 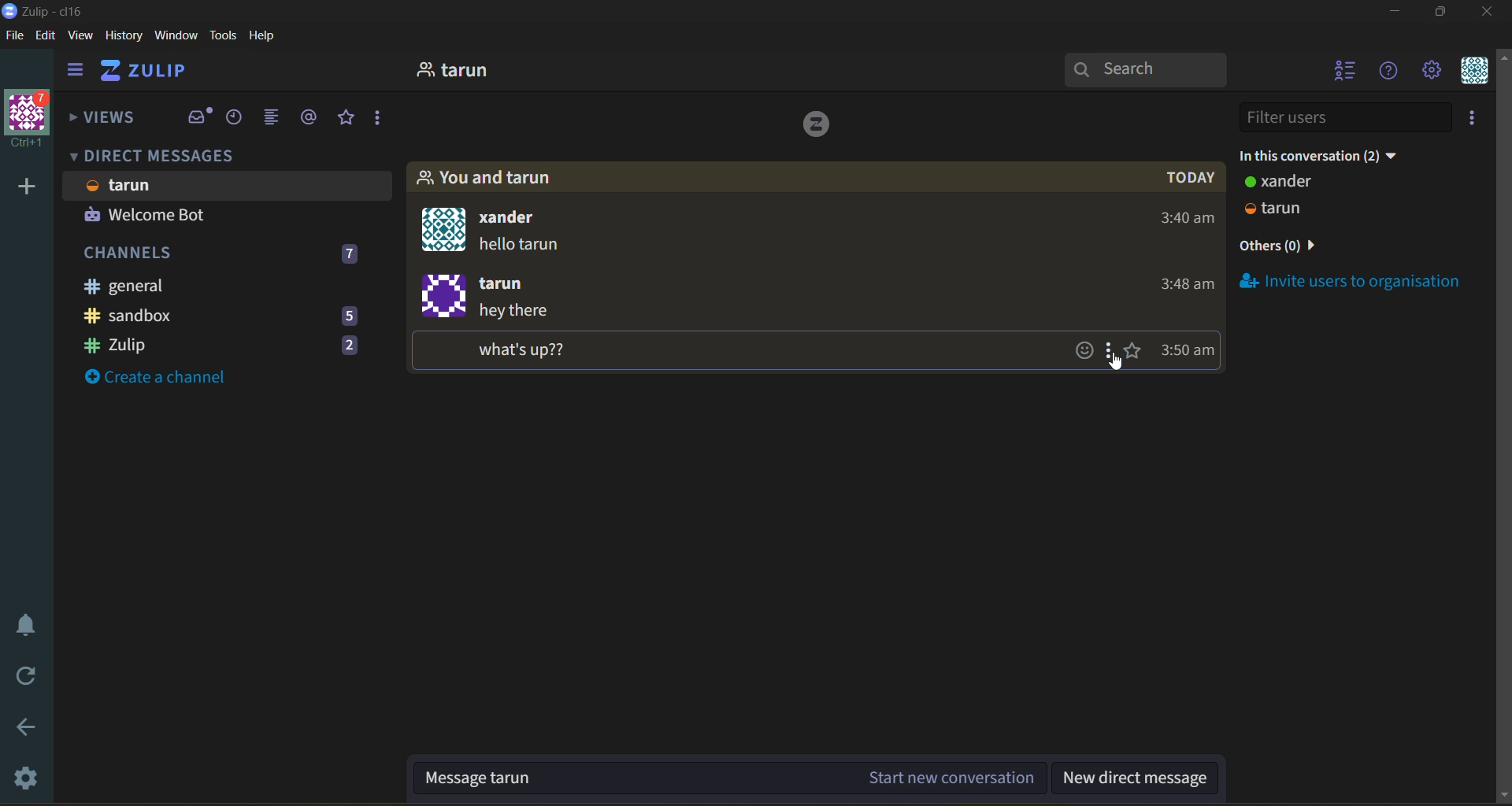 I want to click on invite users to organisation, so click(x=1352, y=281).